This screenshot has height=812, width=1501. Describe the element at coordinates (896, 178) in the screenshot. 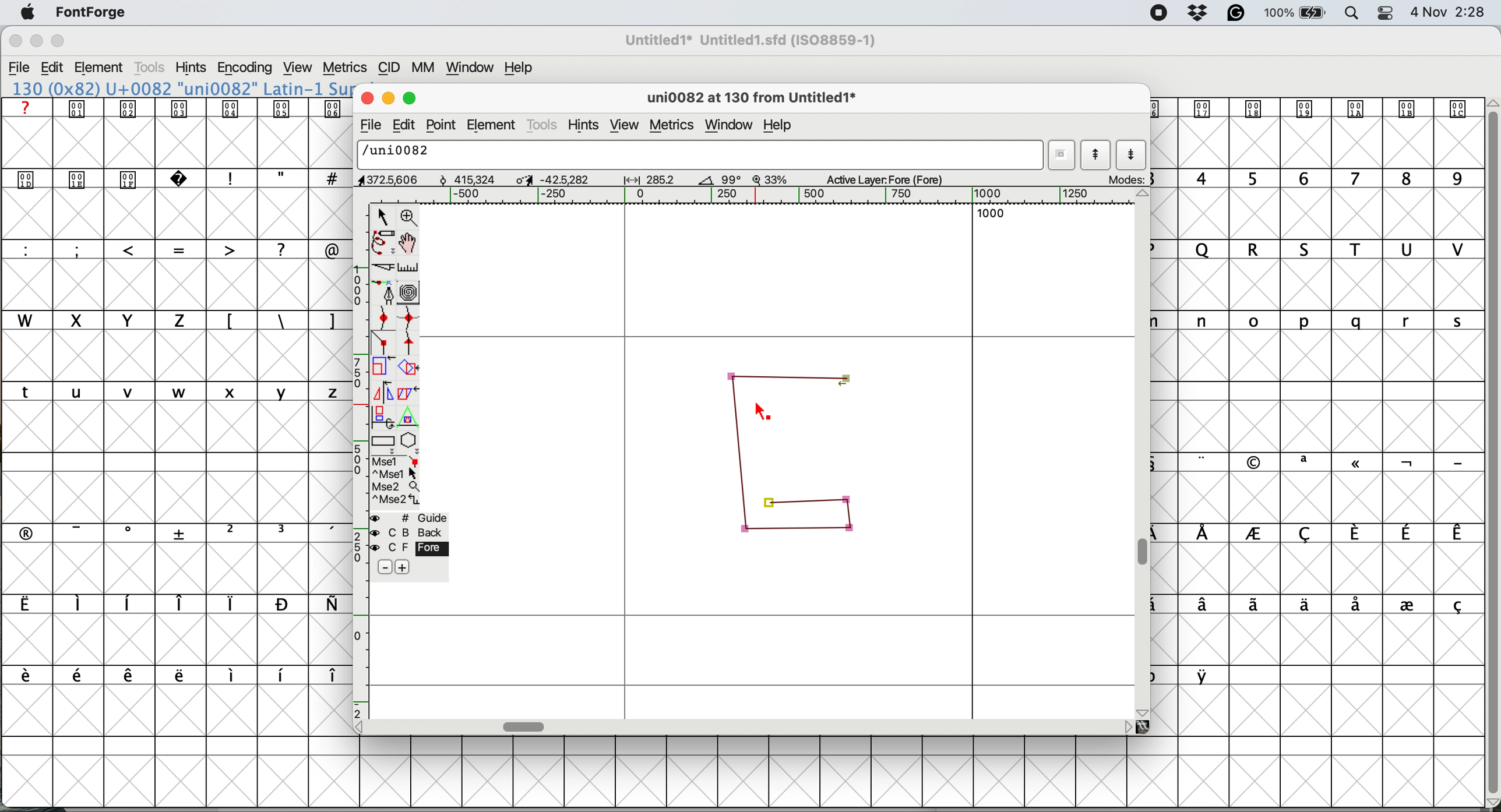

I see `active layer` at that location.